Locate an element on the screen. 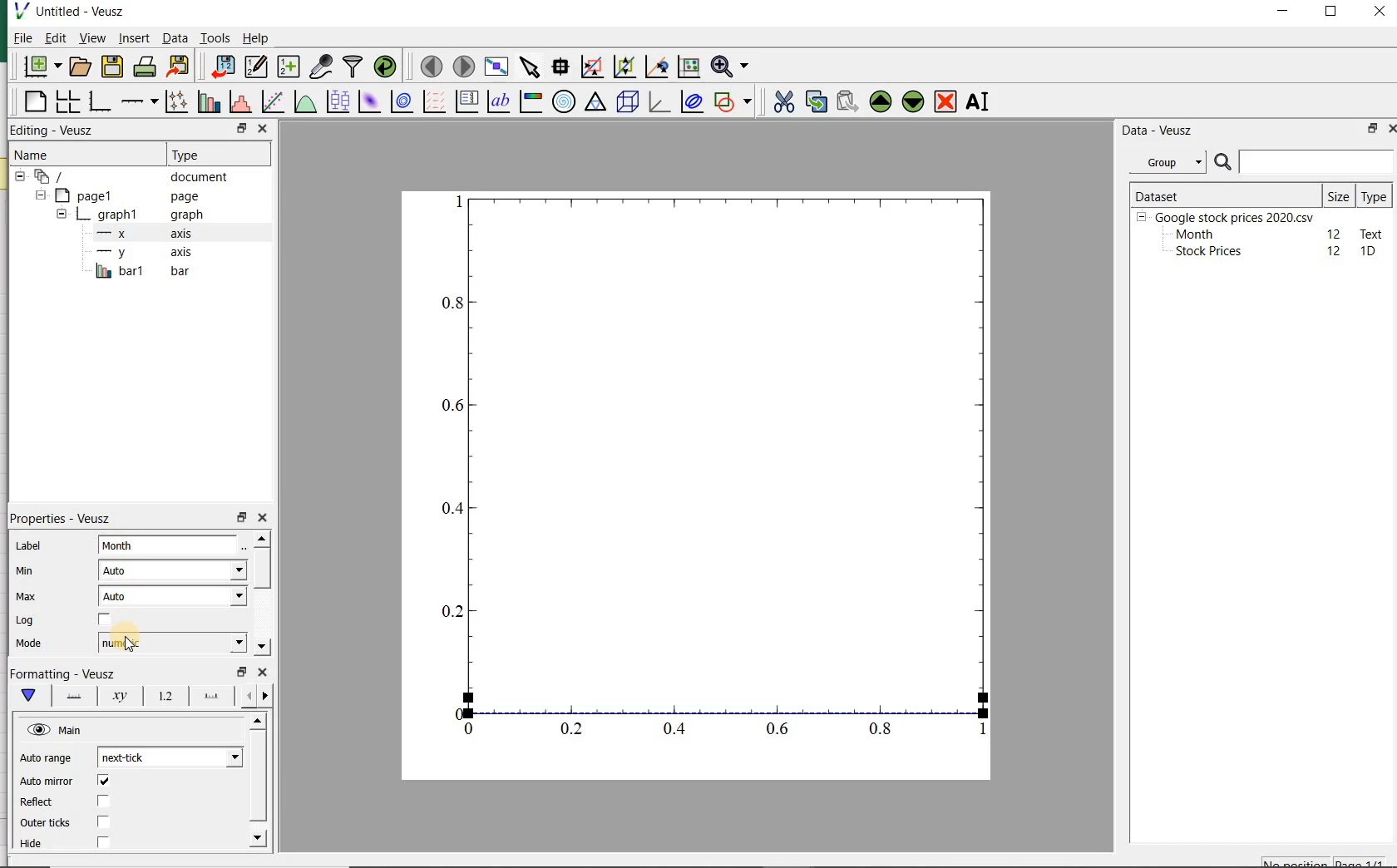 This screenshot has height=868, width=1397. insert is located at coordinates (134, 39).